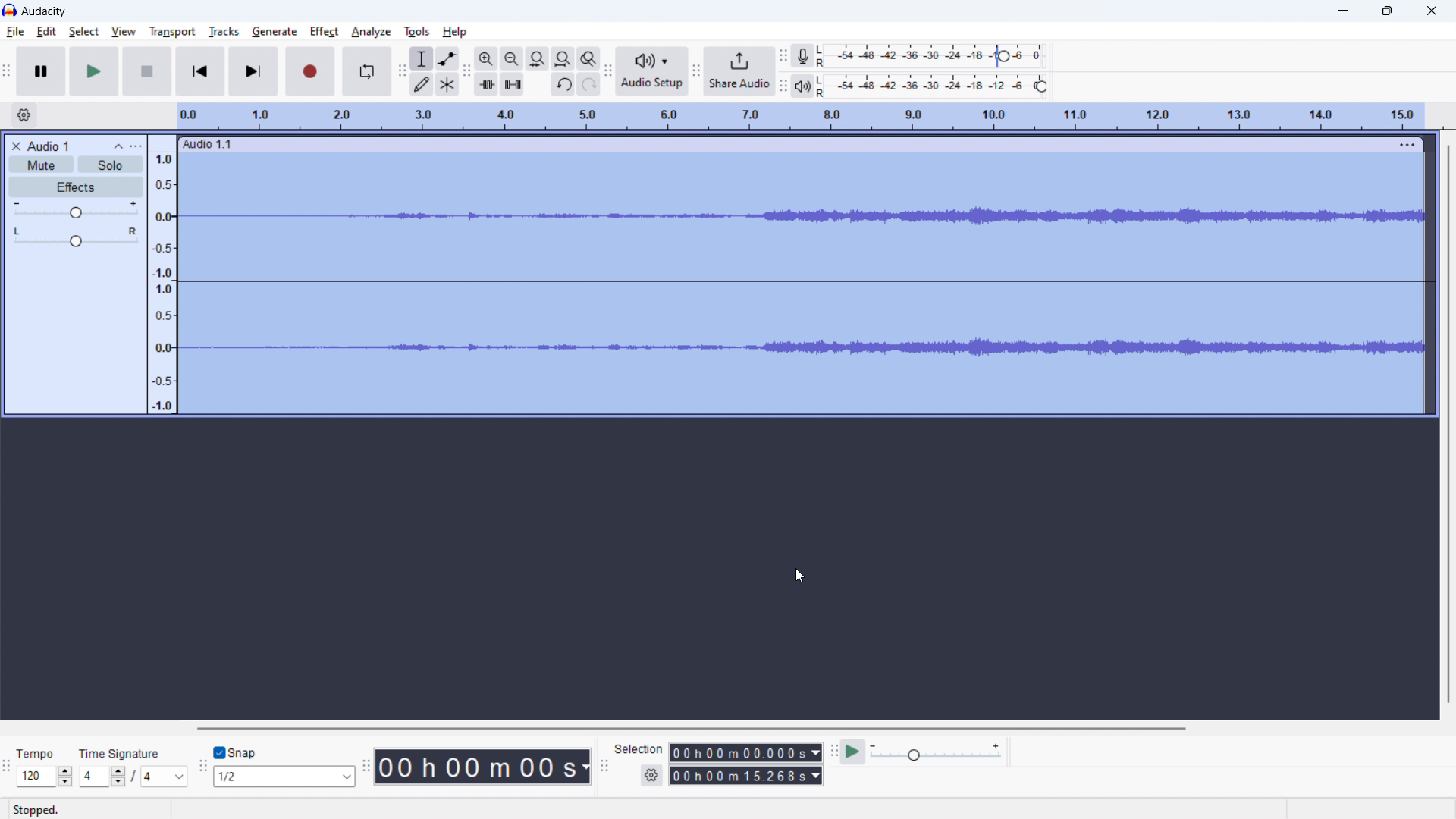 This screenshot has height=819, width=1456. What do you see at coordinates (137, 146) in the screenshot?
I see `view menu` at bounding box center [137, 146].